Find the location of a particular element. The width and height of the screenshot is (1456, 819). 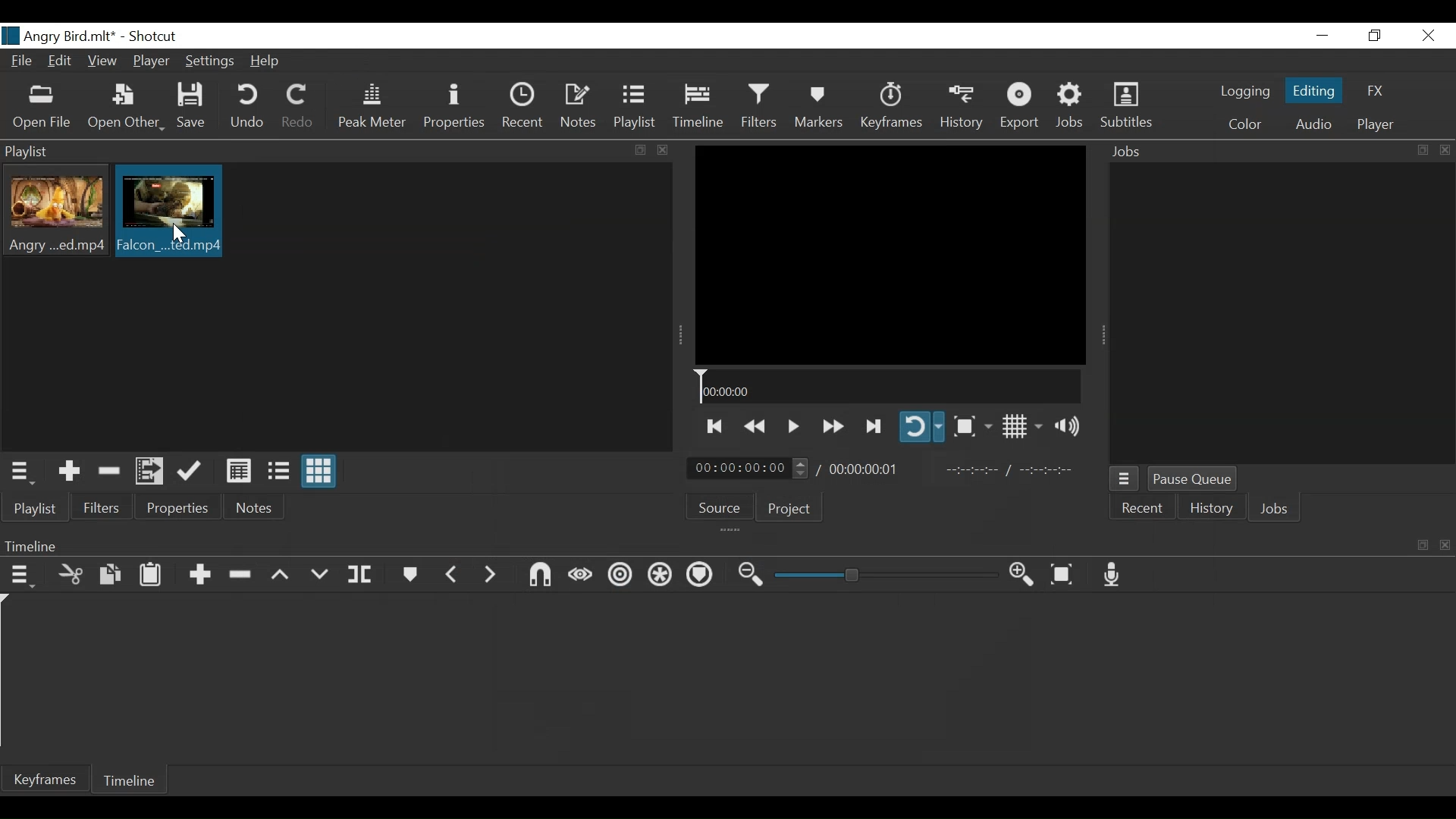

Ripple is located at coordinates (623, 577).